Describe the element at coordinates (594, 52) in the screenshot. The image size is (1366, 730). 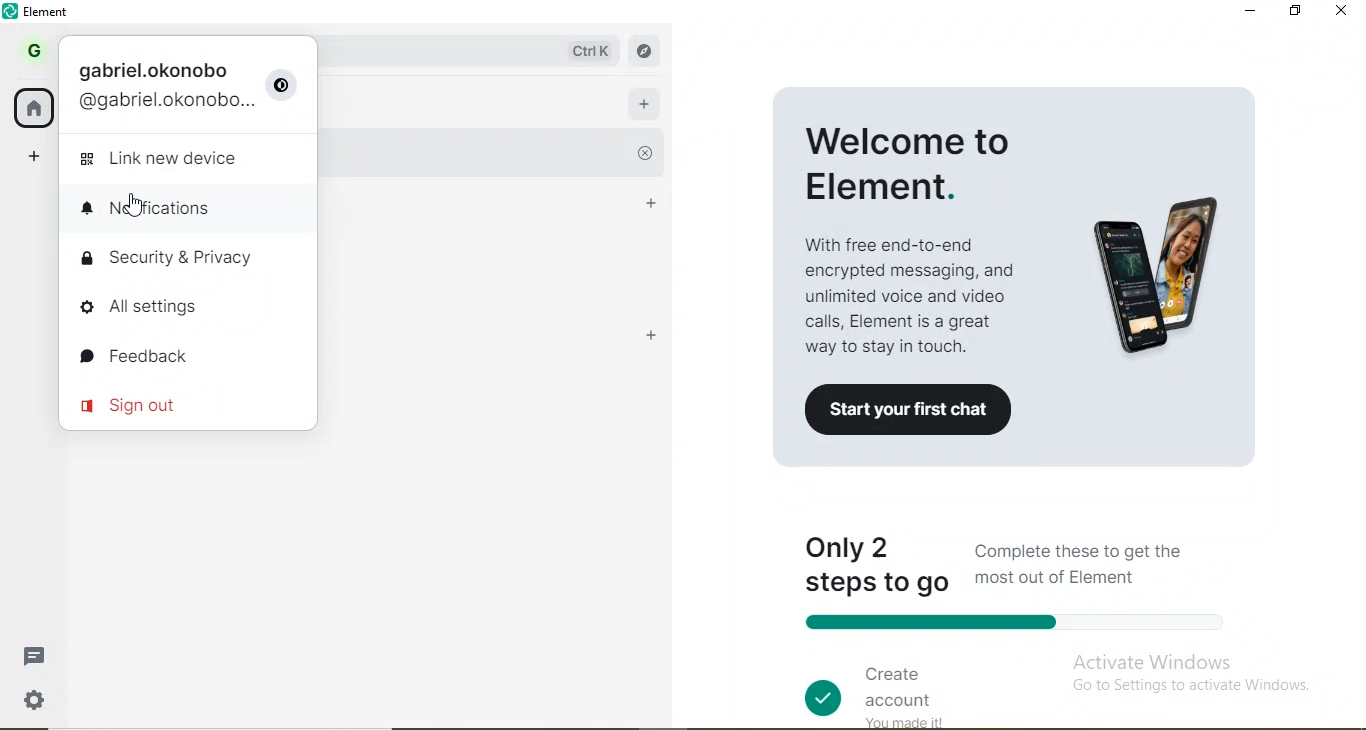
I see `ctrl k` at that location.